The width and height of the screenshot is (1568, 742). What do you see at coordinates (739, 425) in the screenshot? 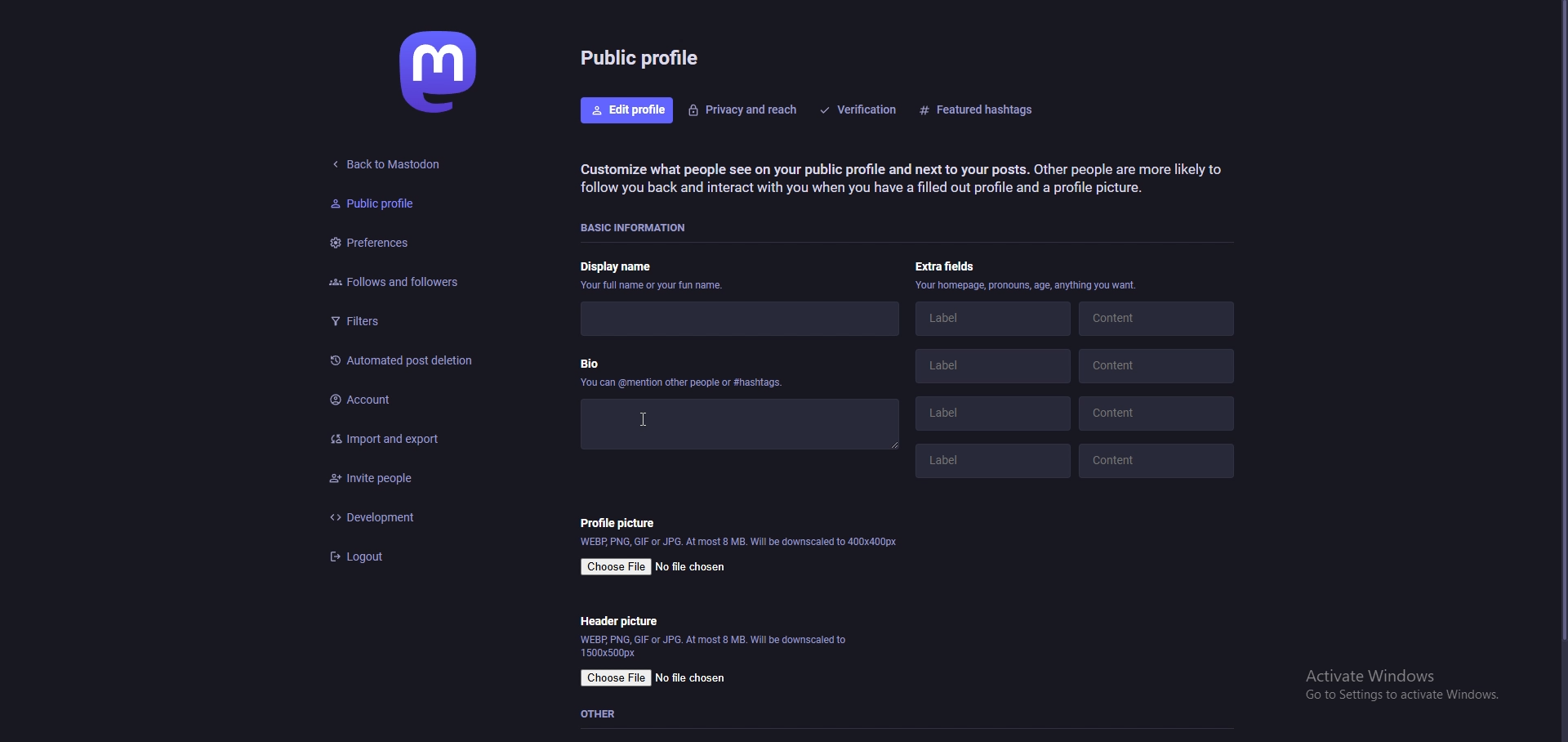
I see `bio input` at bounding box center [739, 425].